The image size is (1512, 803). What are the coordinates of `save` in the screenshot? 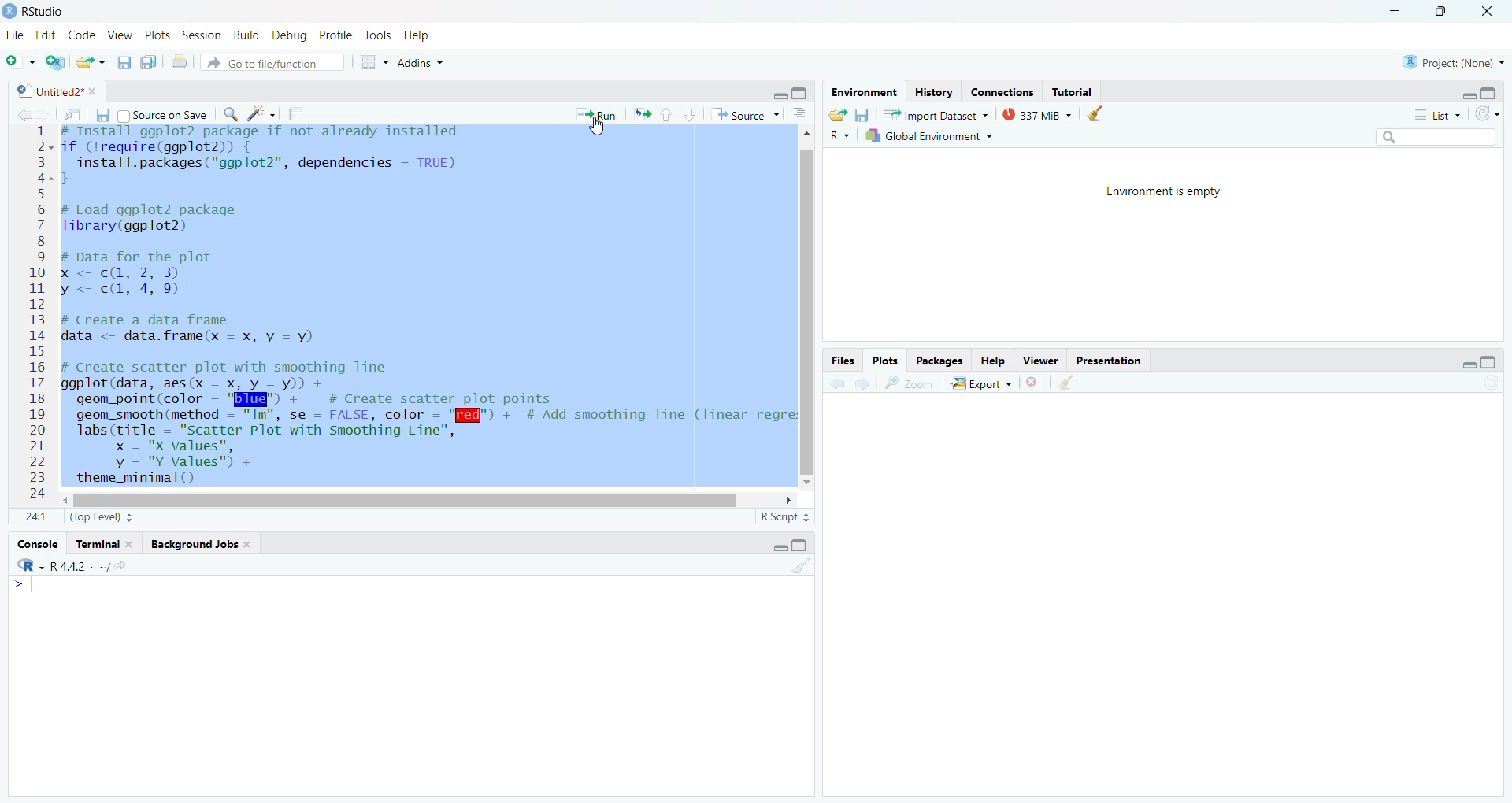 It's located at (862, 114).